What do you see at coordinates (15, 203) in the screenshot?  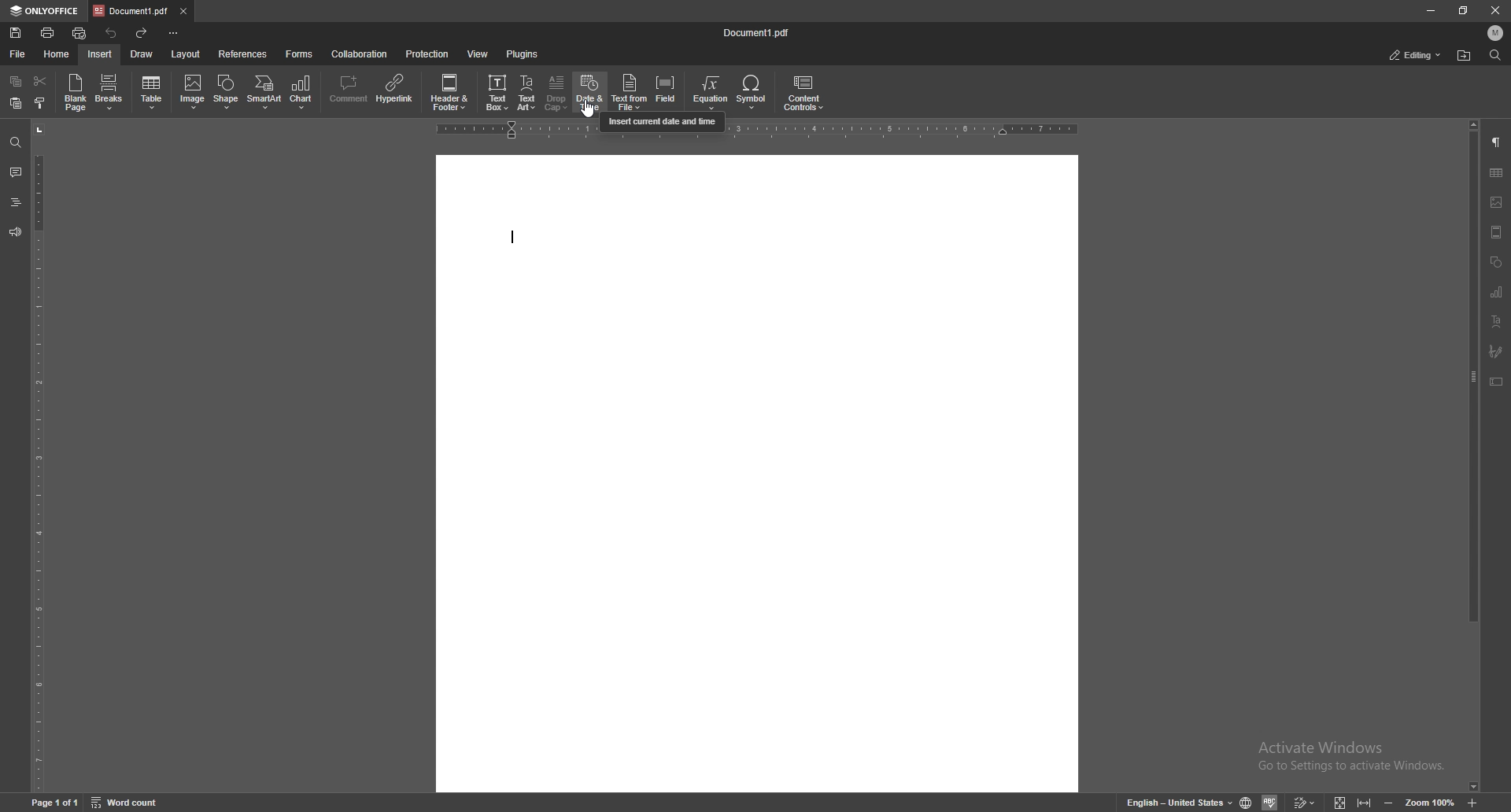 I see `heading` at bounding box center [15, 203].